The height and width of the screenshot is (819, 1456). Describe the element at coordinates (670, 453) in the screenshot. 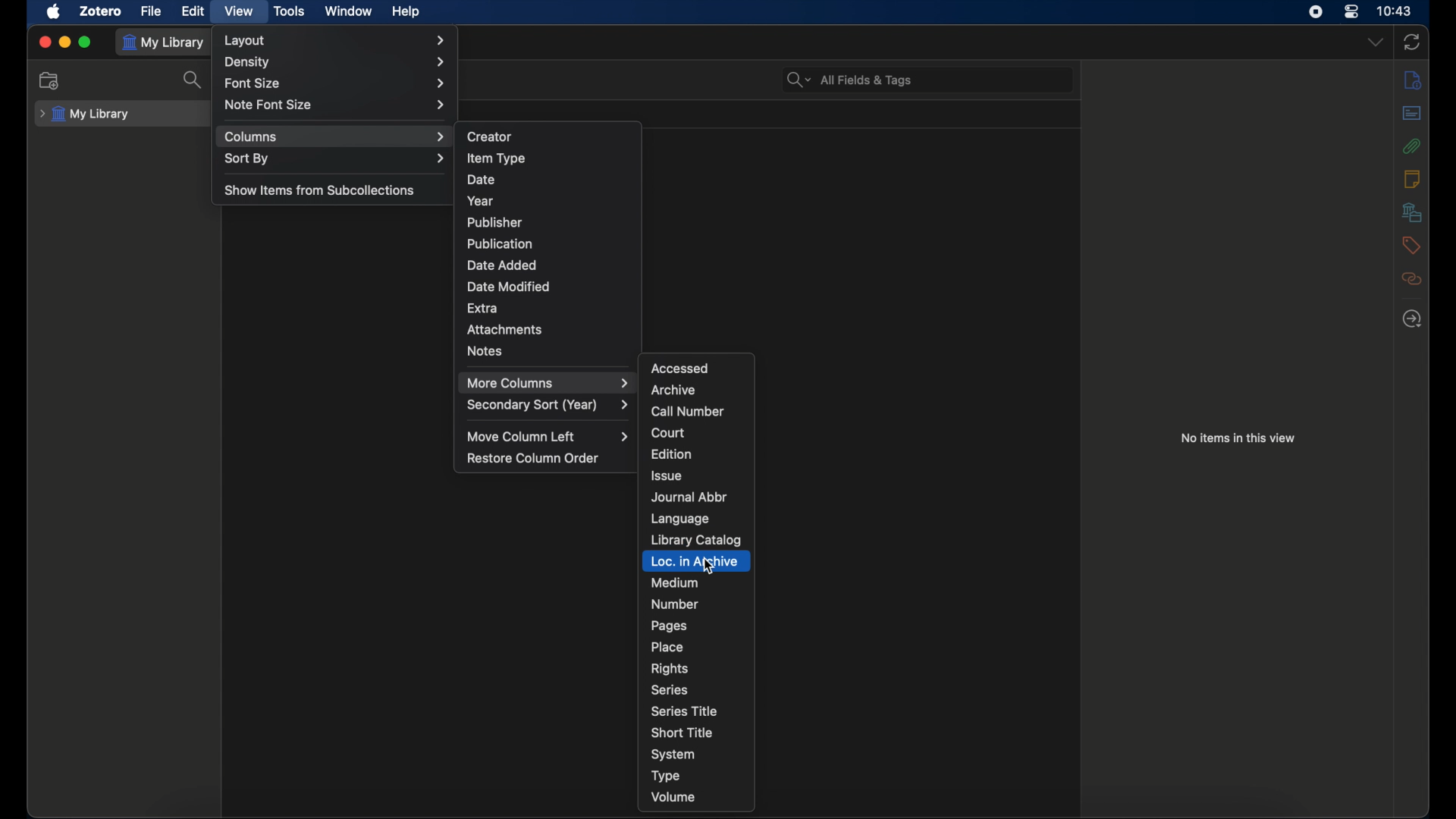

I see `edition` at that location.